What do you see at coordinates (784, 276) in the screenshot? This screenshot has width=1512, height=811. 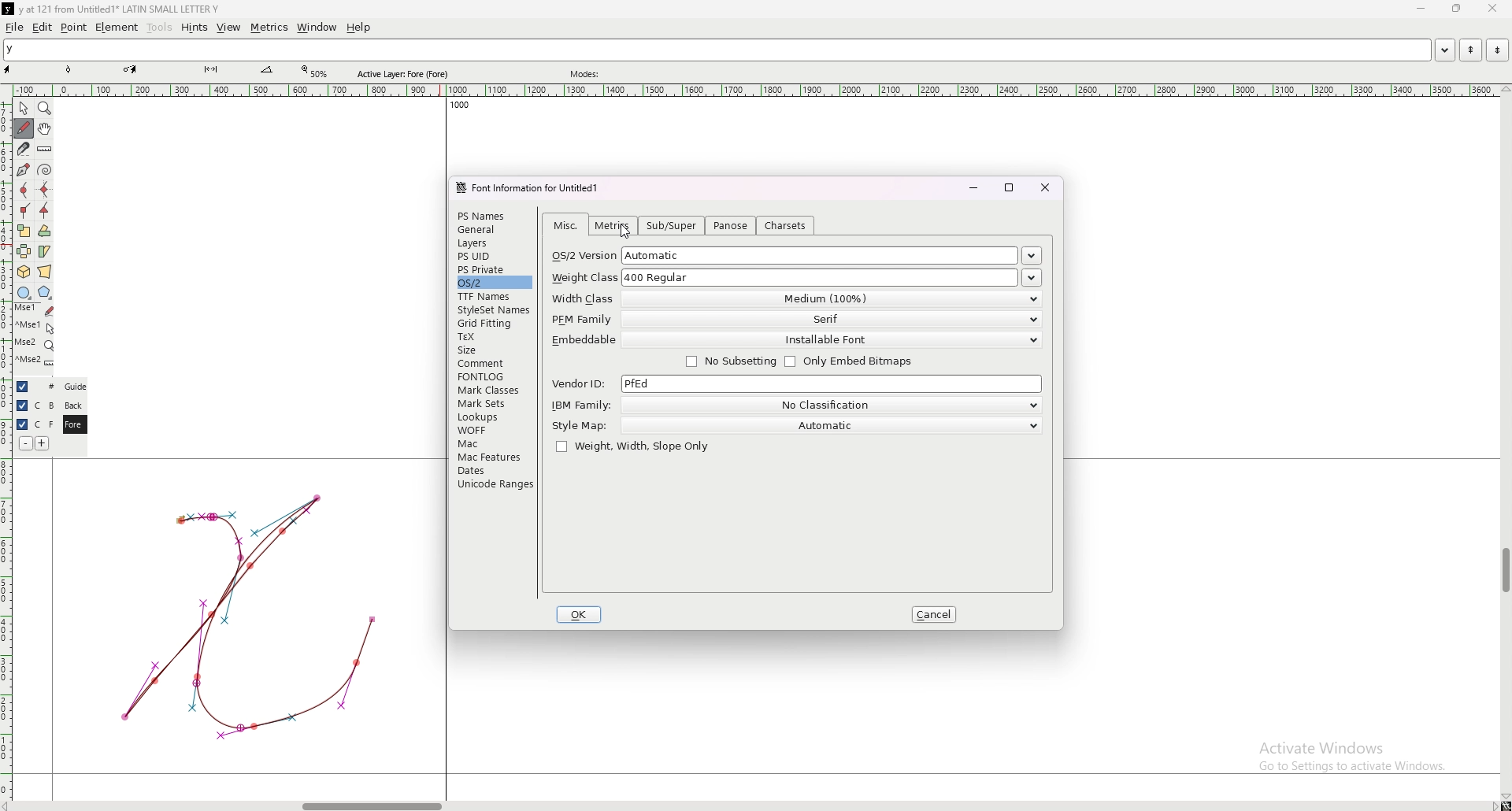 I see `weight class 400 regular` at bounding box center [784, 276].